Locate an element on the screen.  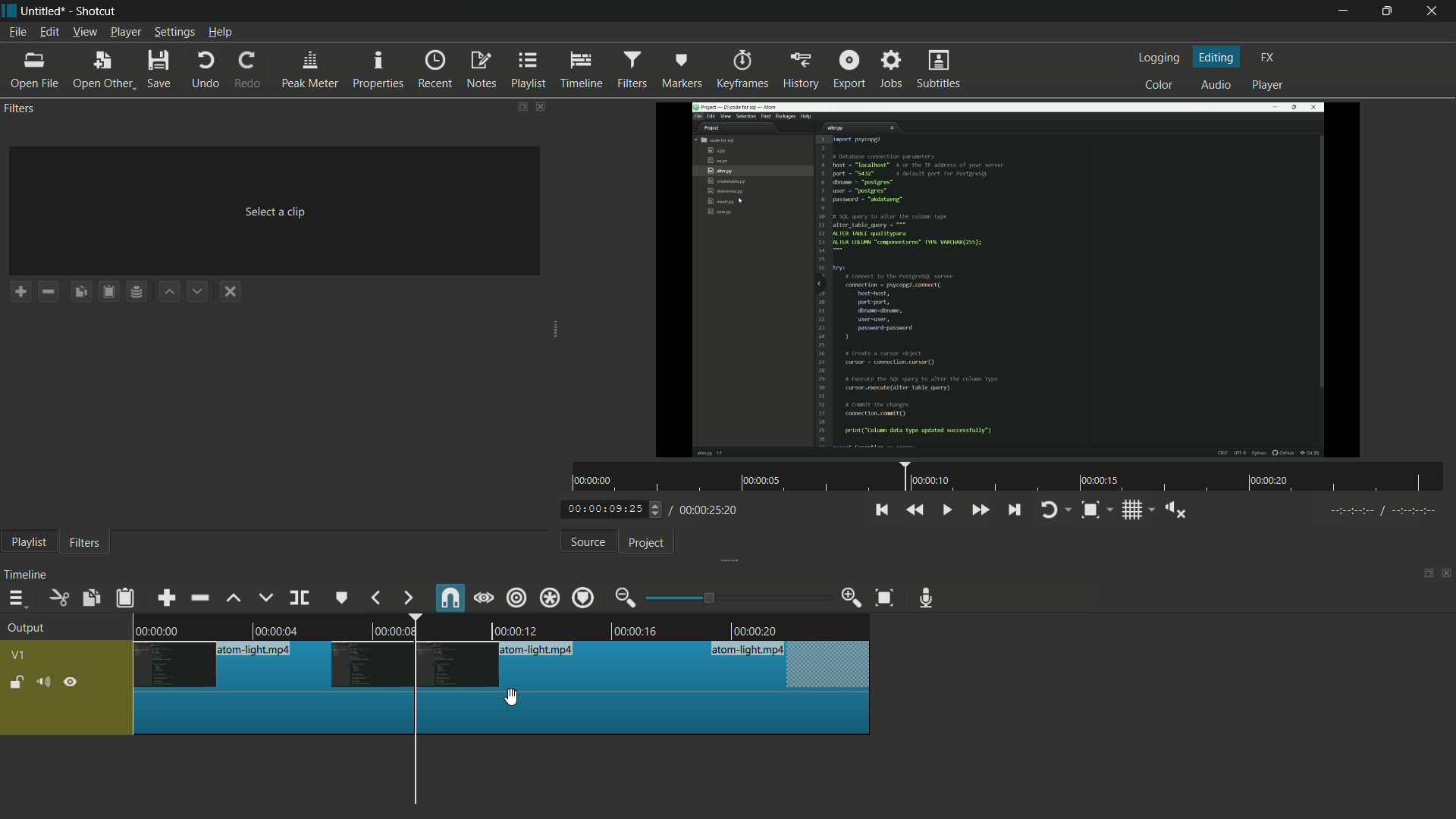
copy checked filters is located at coordinates (93, 598).